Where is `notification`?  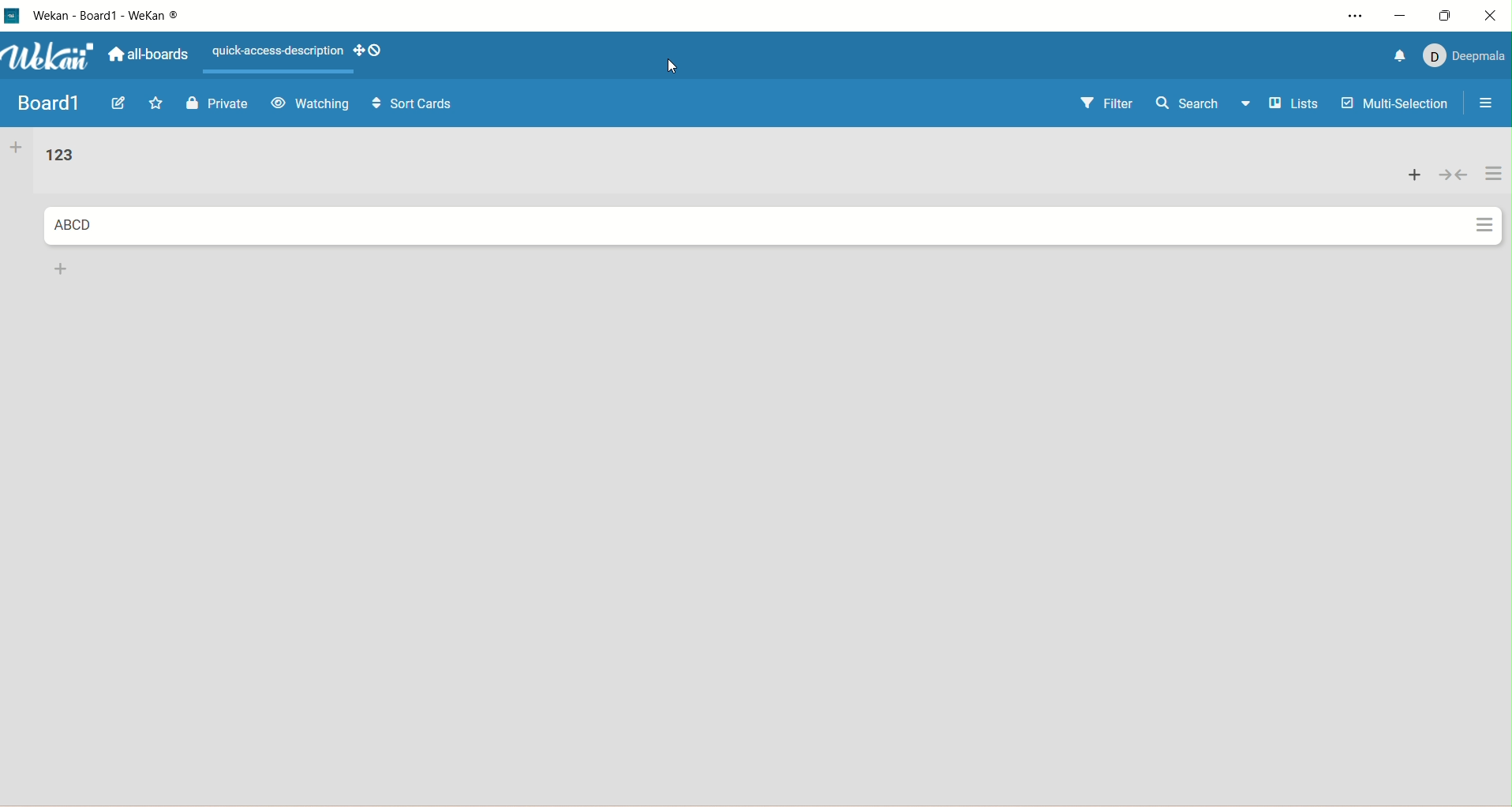 notification is located at coordinates (1398, 55).